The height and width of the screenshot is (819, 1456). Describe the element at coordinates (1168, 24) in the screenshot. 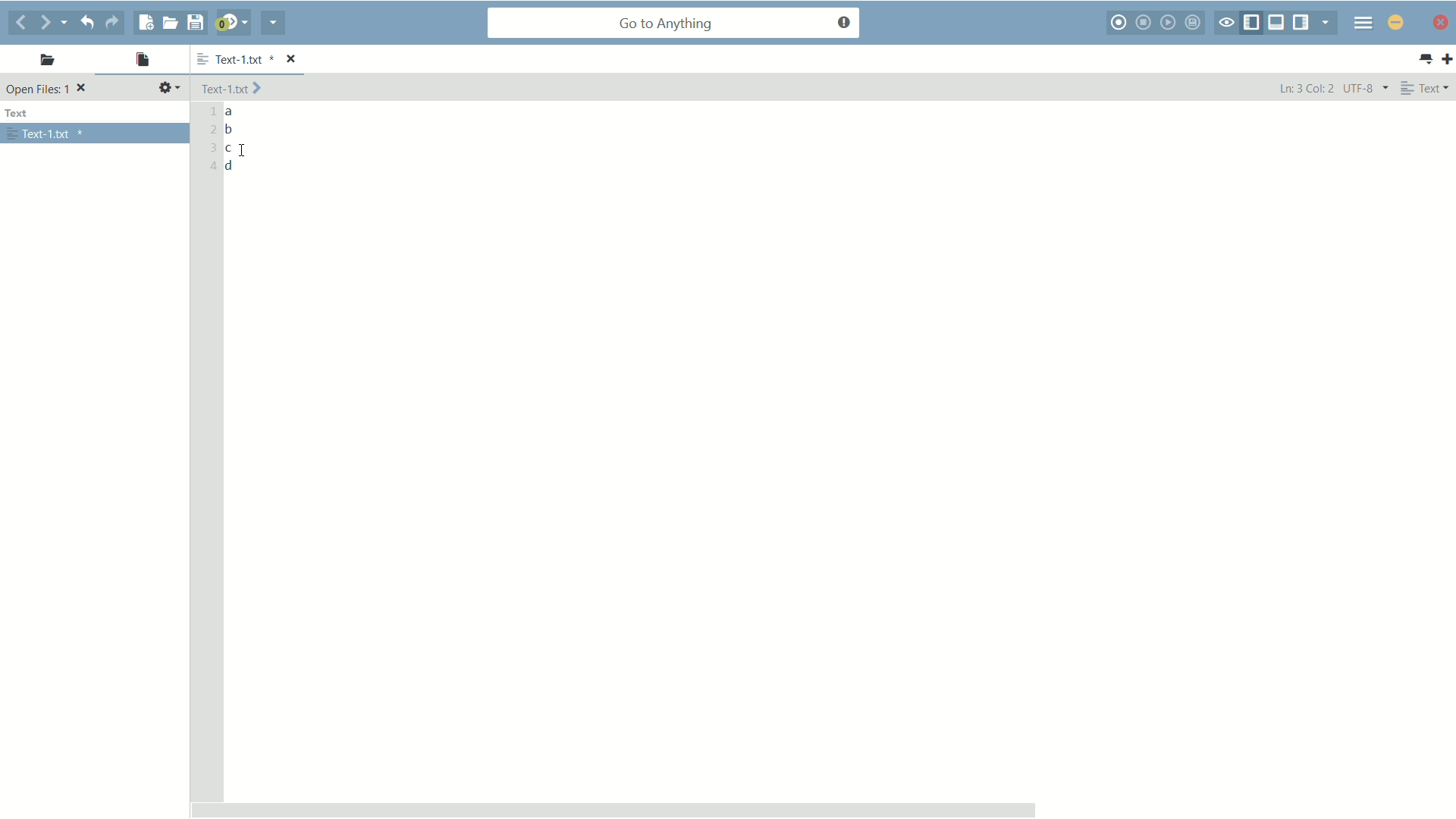

I see `start last macro` at that location.